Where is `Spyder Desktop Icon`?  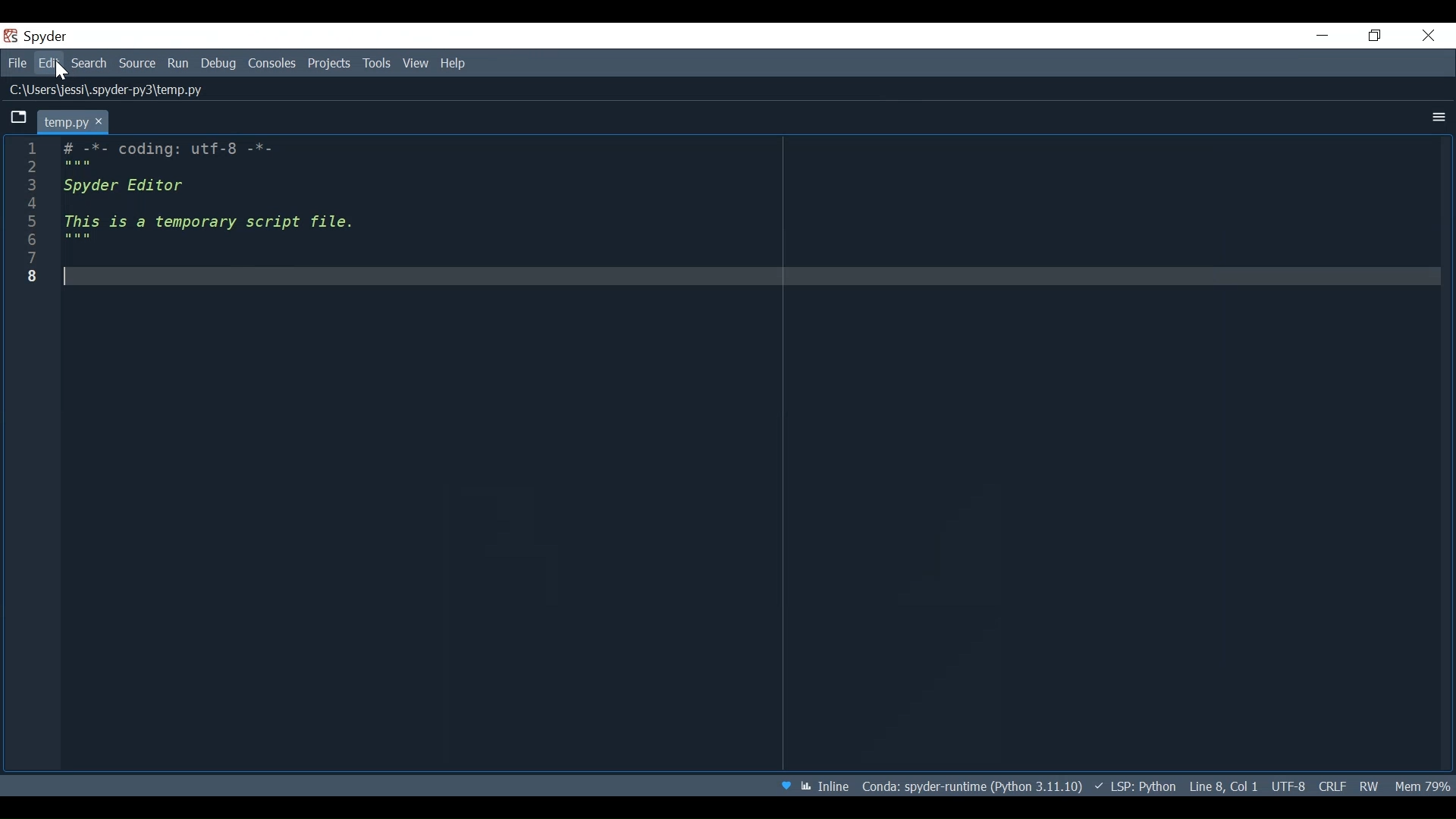 Spyder Desktop Icon is located at coordinates (11, 35).